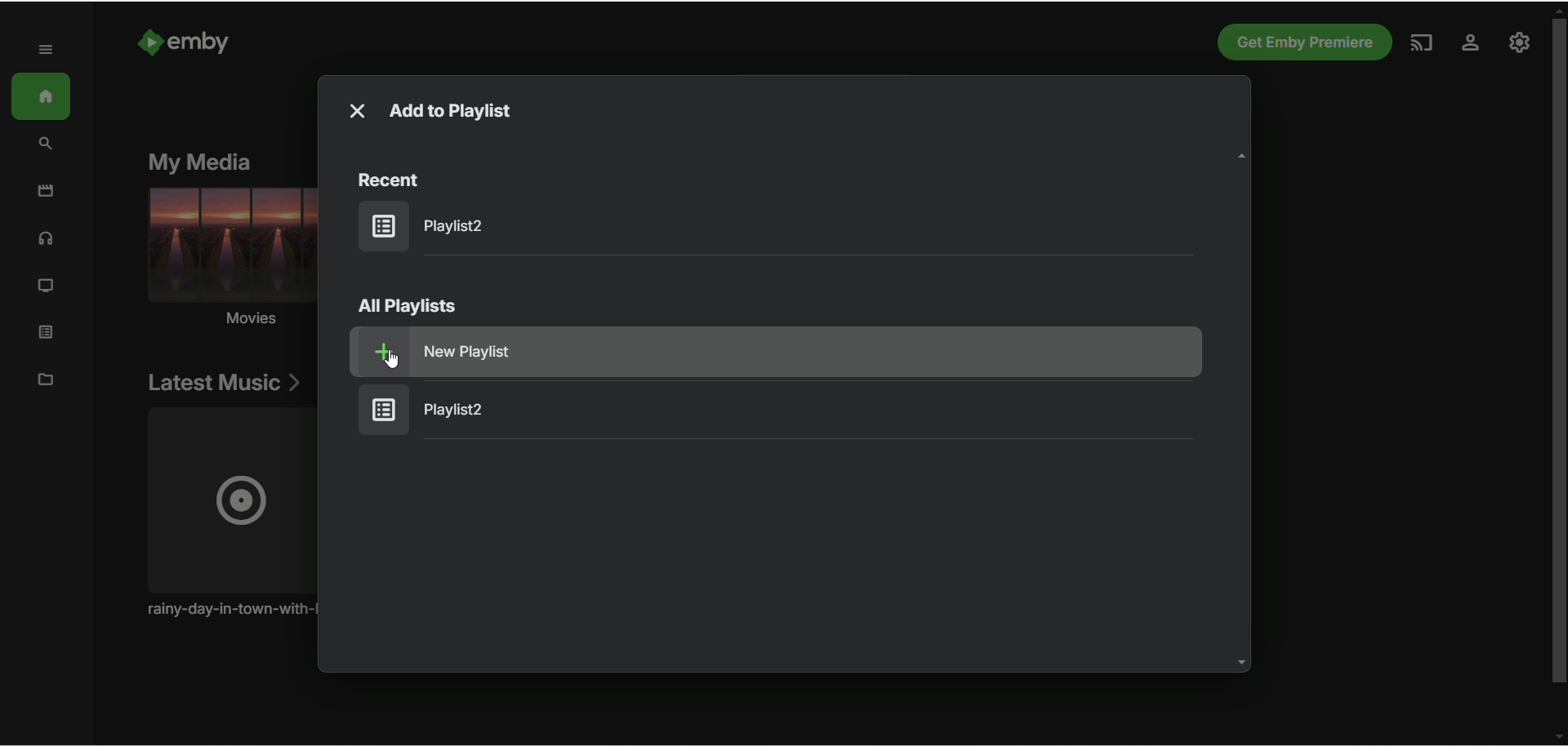 This screenshot has height=746, width=1568. What do you see at coordinates (376, 352) in the screenshot?
I see `Add new playlist button` at bounding box center [376, 352].